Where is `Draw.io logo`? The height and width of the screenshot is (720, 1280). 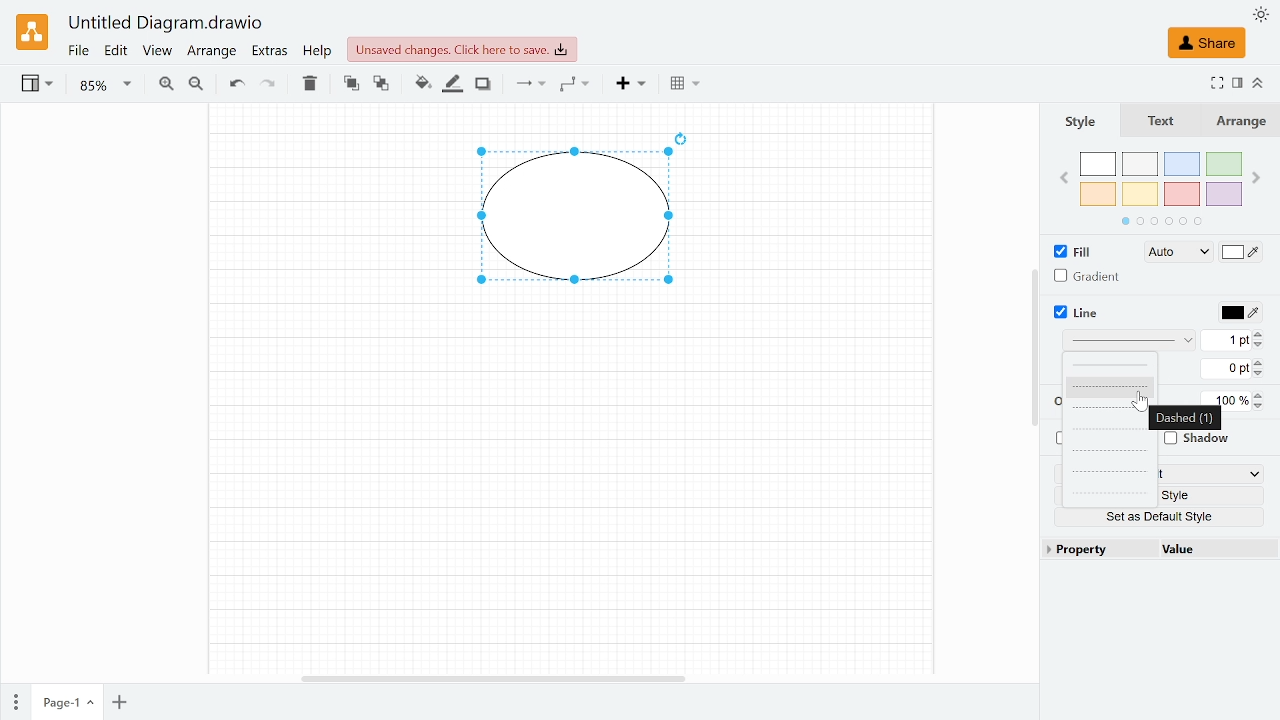
Draw.io logo is located at coordinates (33, 31).